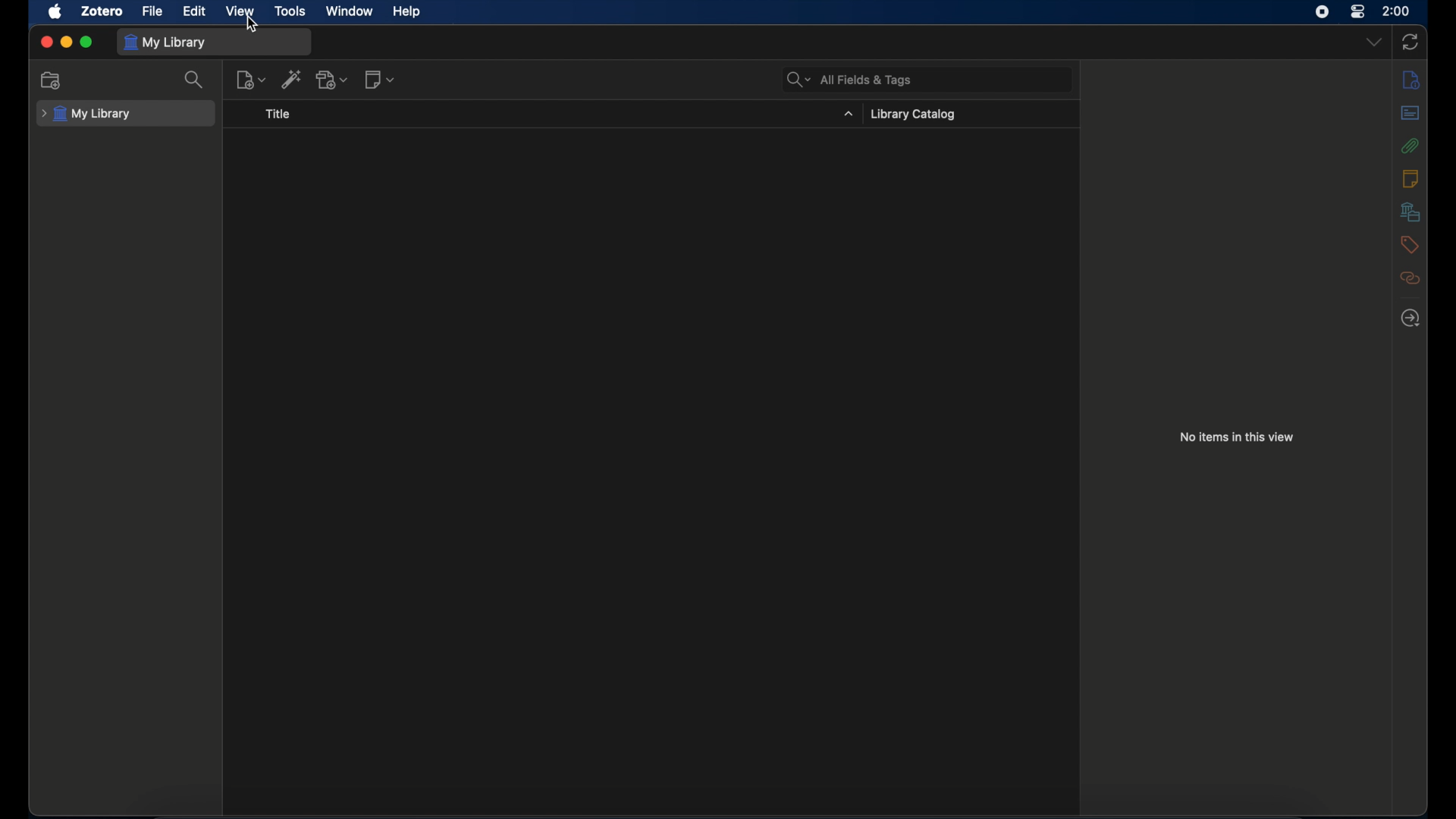  Describe the element at coordinates (408, 12) in the screenshot. I see `help` at that location.